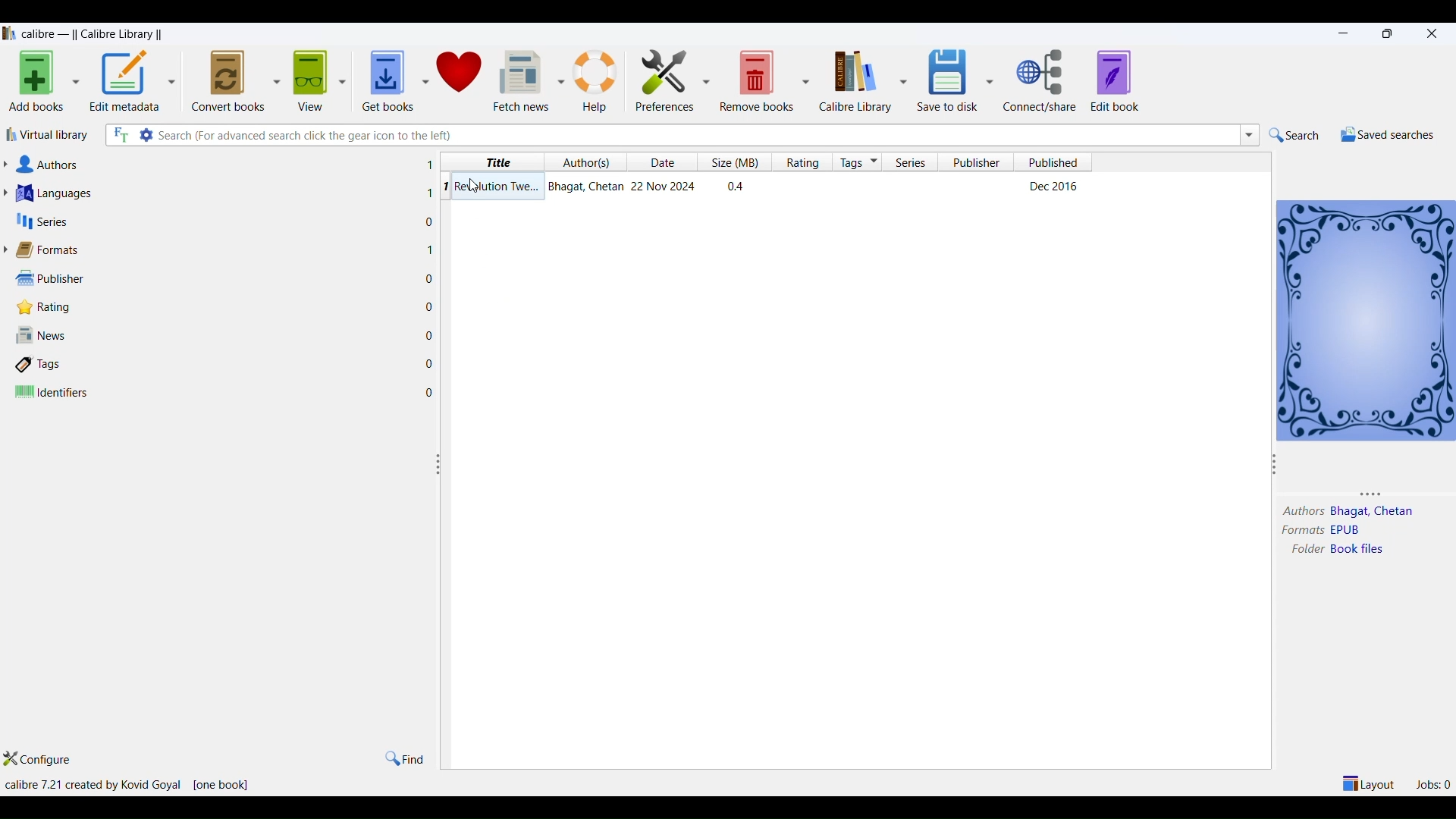  What do you see at coordinates (695, 135) in the screenshot?
I see `search box` at bounding box center [695, 135].